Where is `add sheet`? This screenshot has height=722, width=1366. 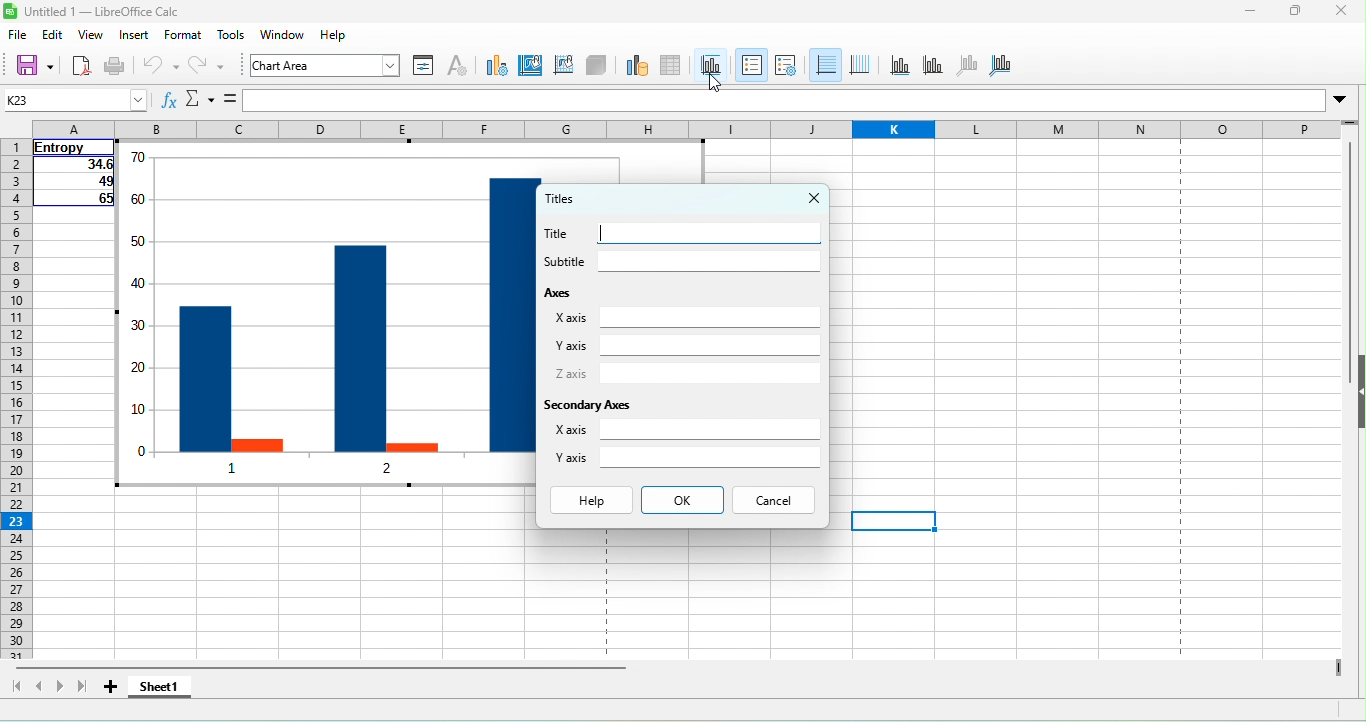 add sheet is located at coordinates (117, 688).